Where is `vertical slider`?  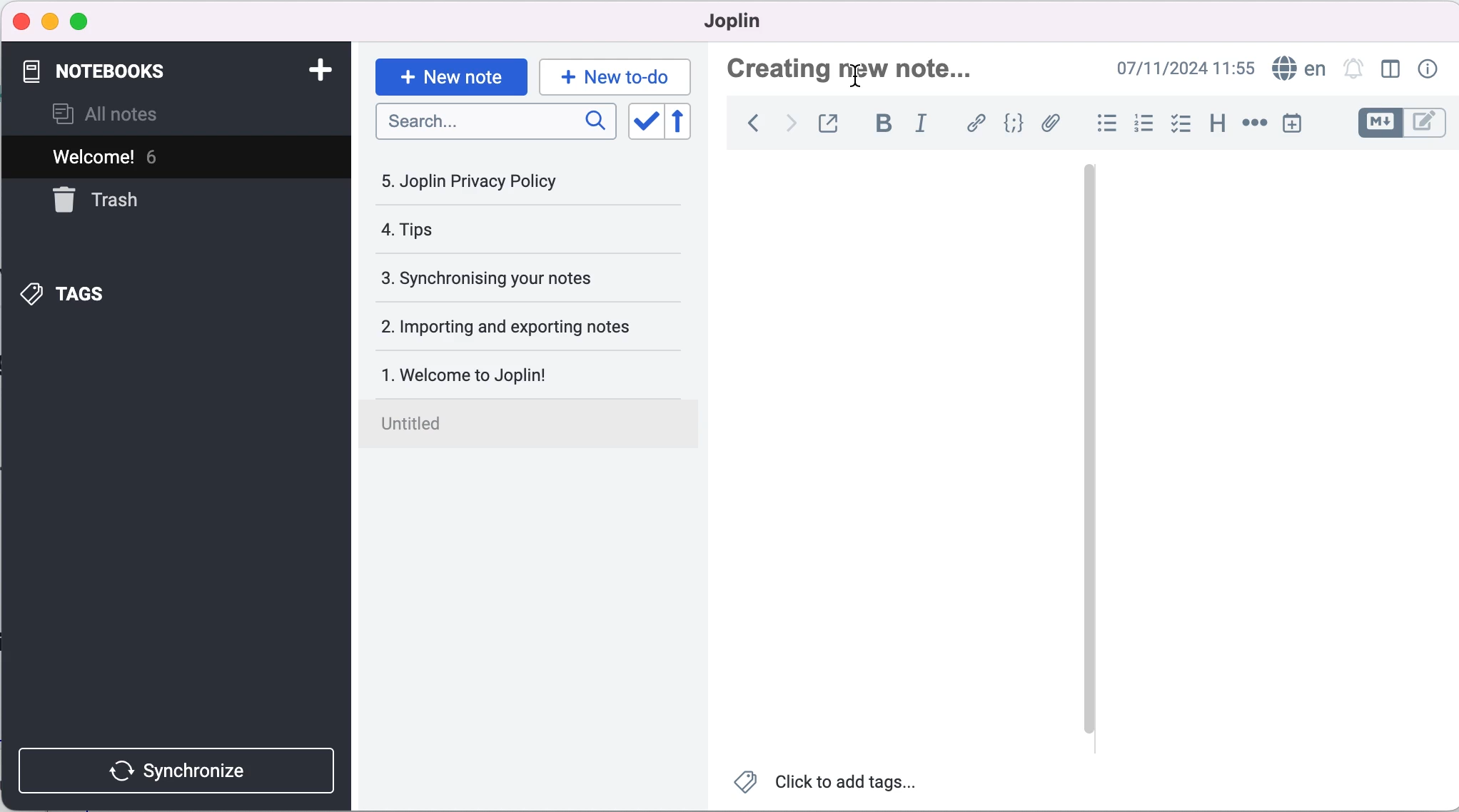 vertical slider is located at coordinates (1091, 200).